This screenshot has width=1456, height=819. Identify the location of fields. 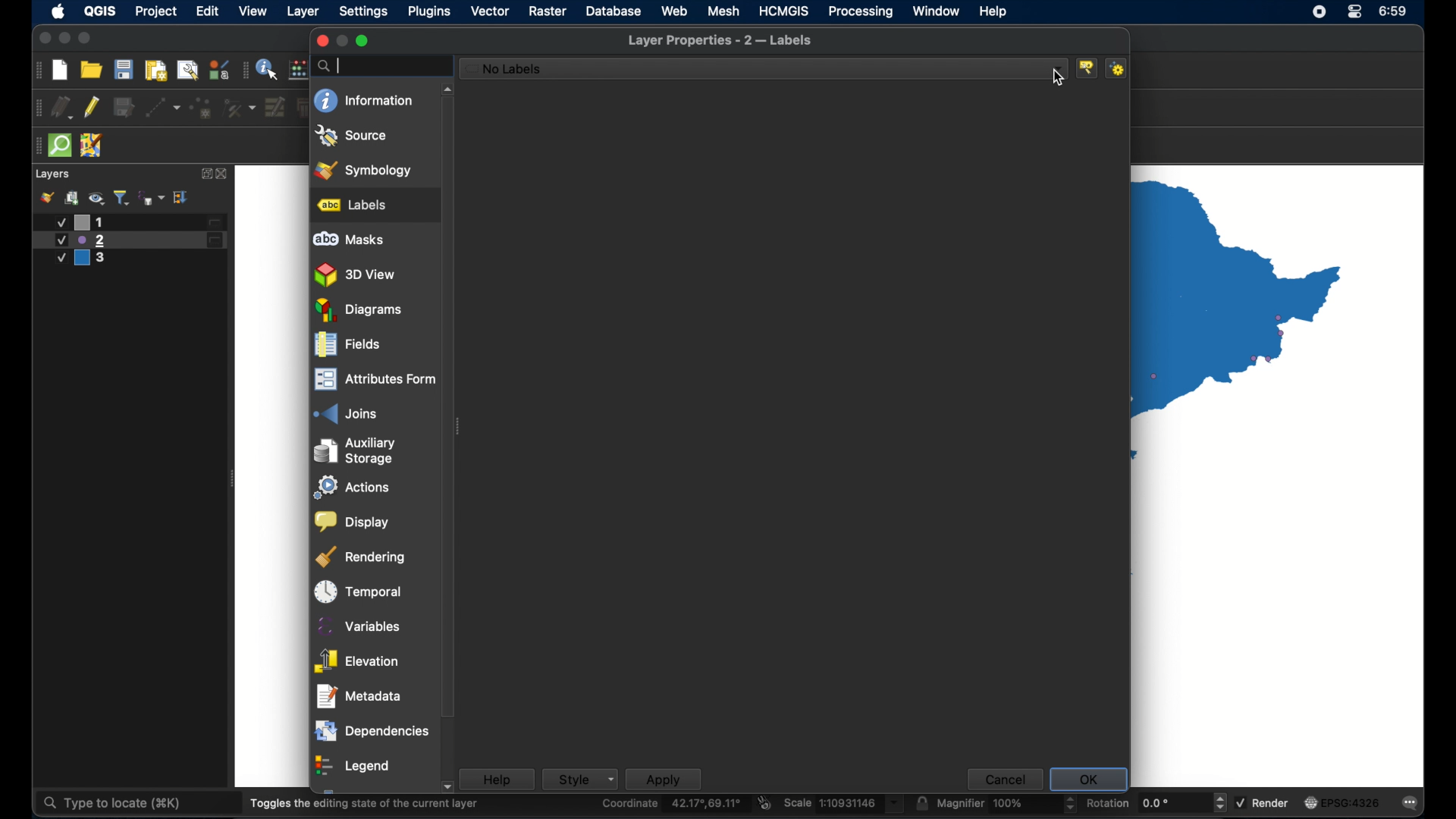
(347, 345).